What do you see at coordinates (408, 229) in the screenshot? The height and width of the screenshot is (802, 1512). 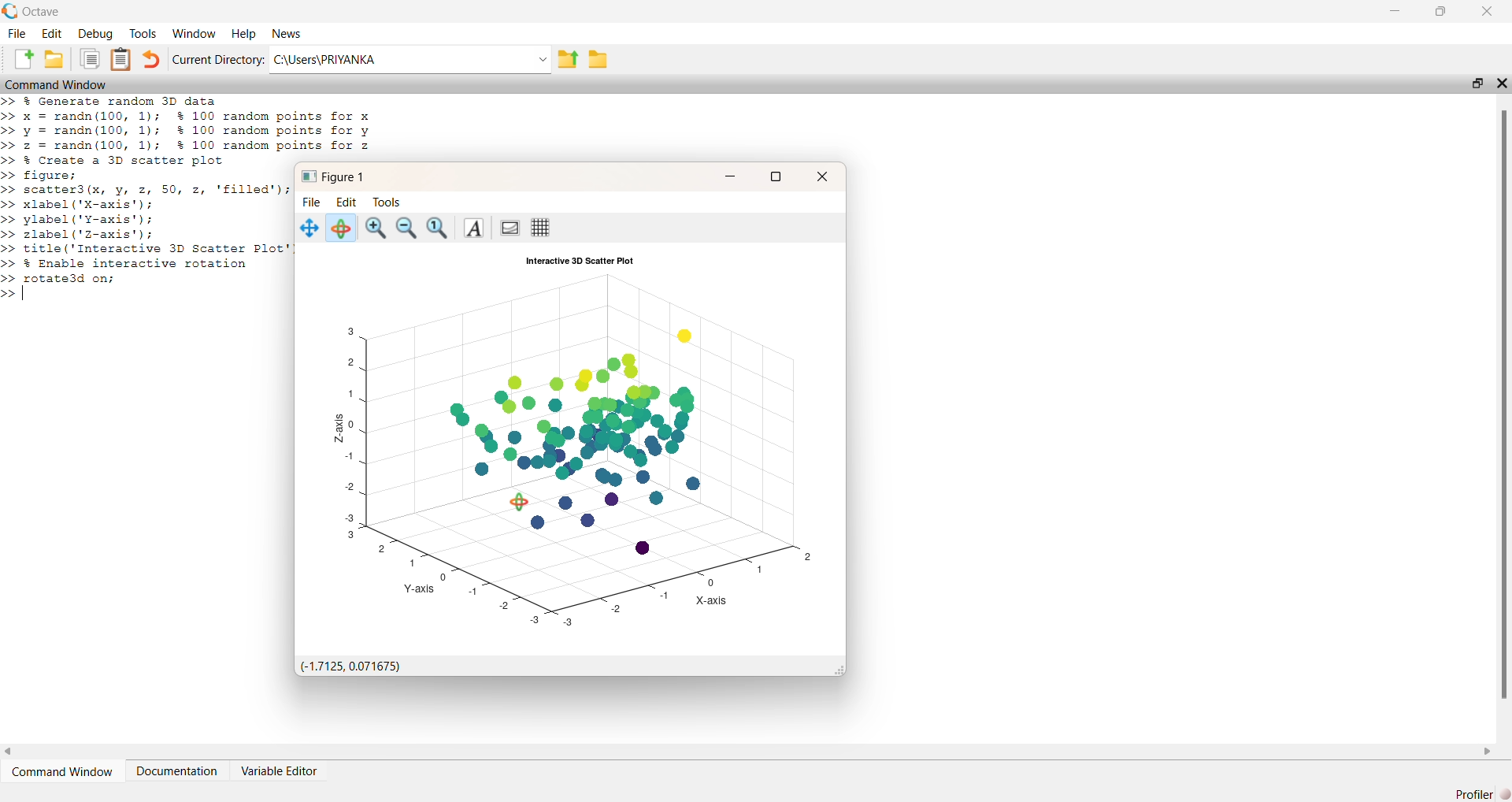 I see `zoom out` at bounding box center [408, 229].